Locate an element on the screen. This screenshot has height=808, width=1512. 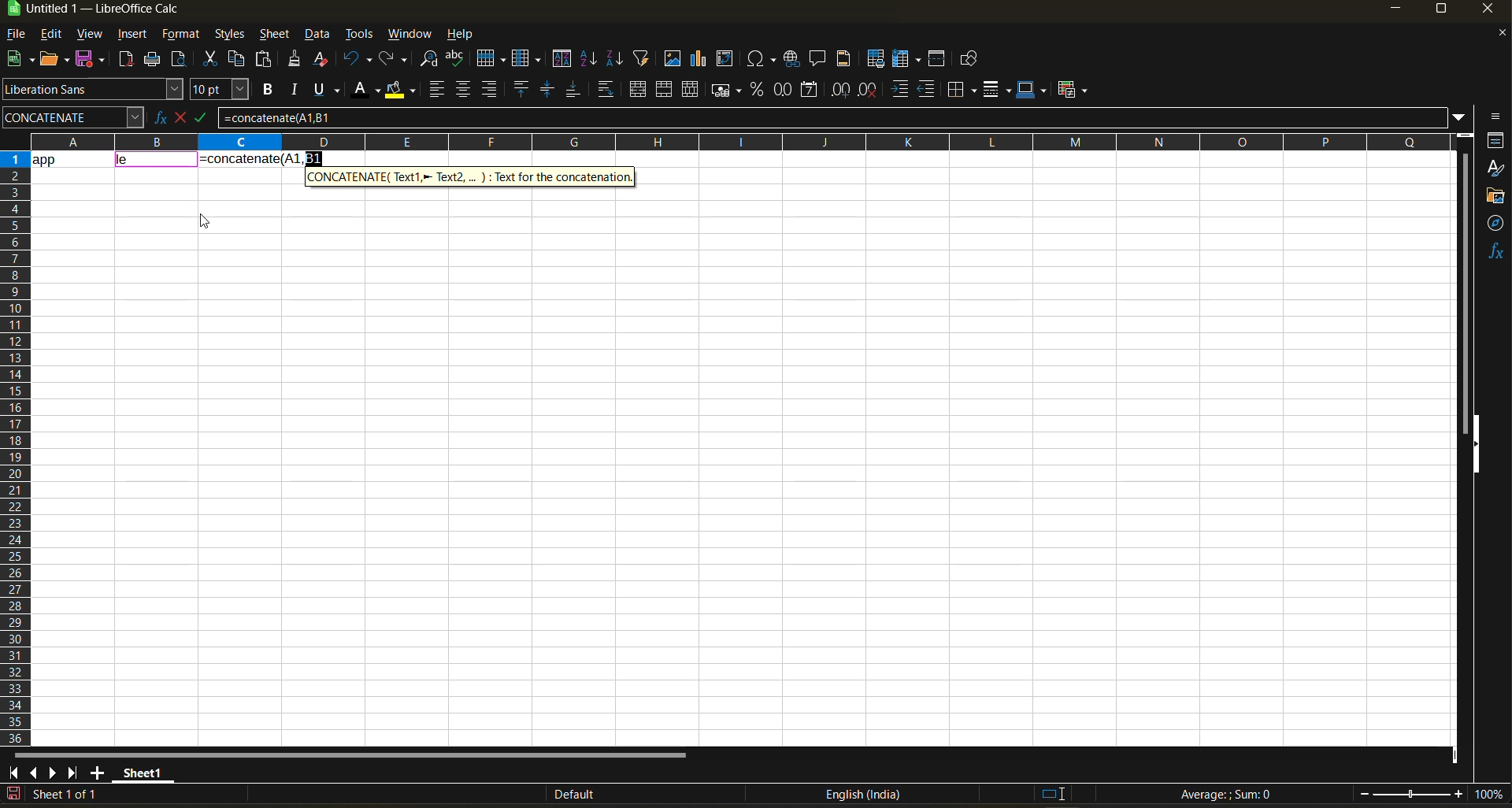
properties is located at coordinates (1496, 140).